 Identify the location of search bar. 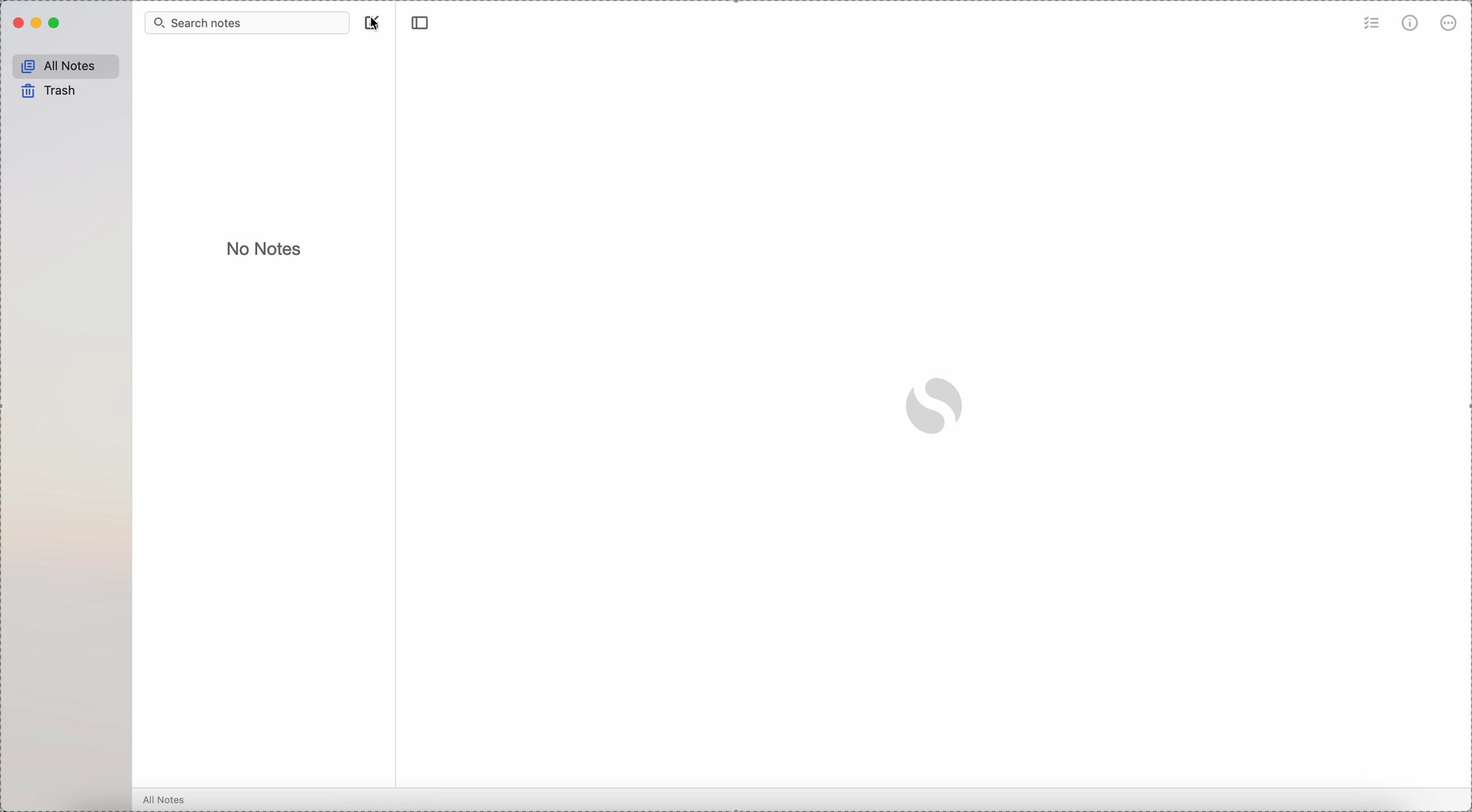
(247, 22).